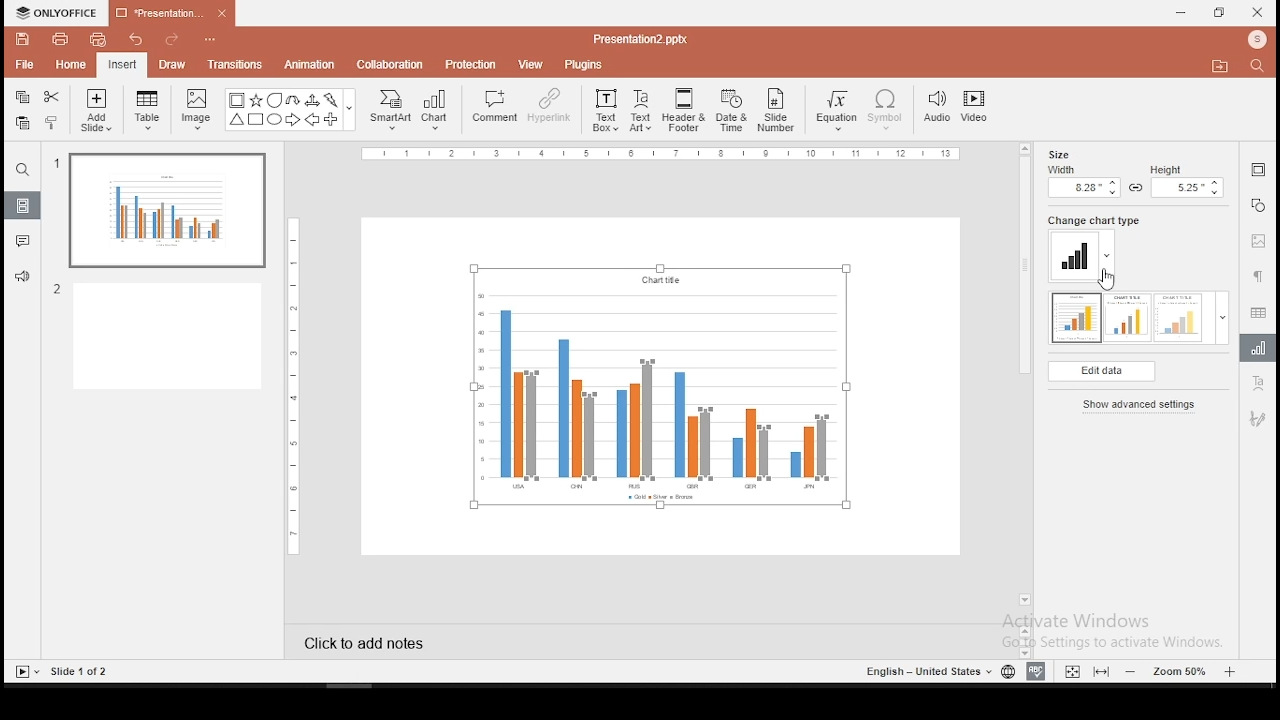 This screenshot has height=720, width=1280. Describe the element at coordinates (24, 244) in the screenshot. I see `comments` at that location.